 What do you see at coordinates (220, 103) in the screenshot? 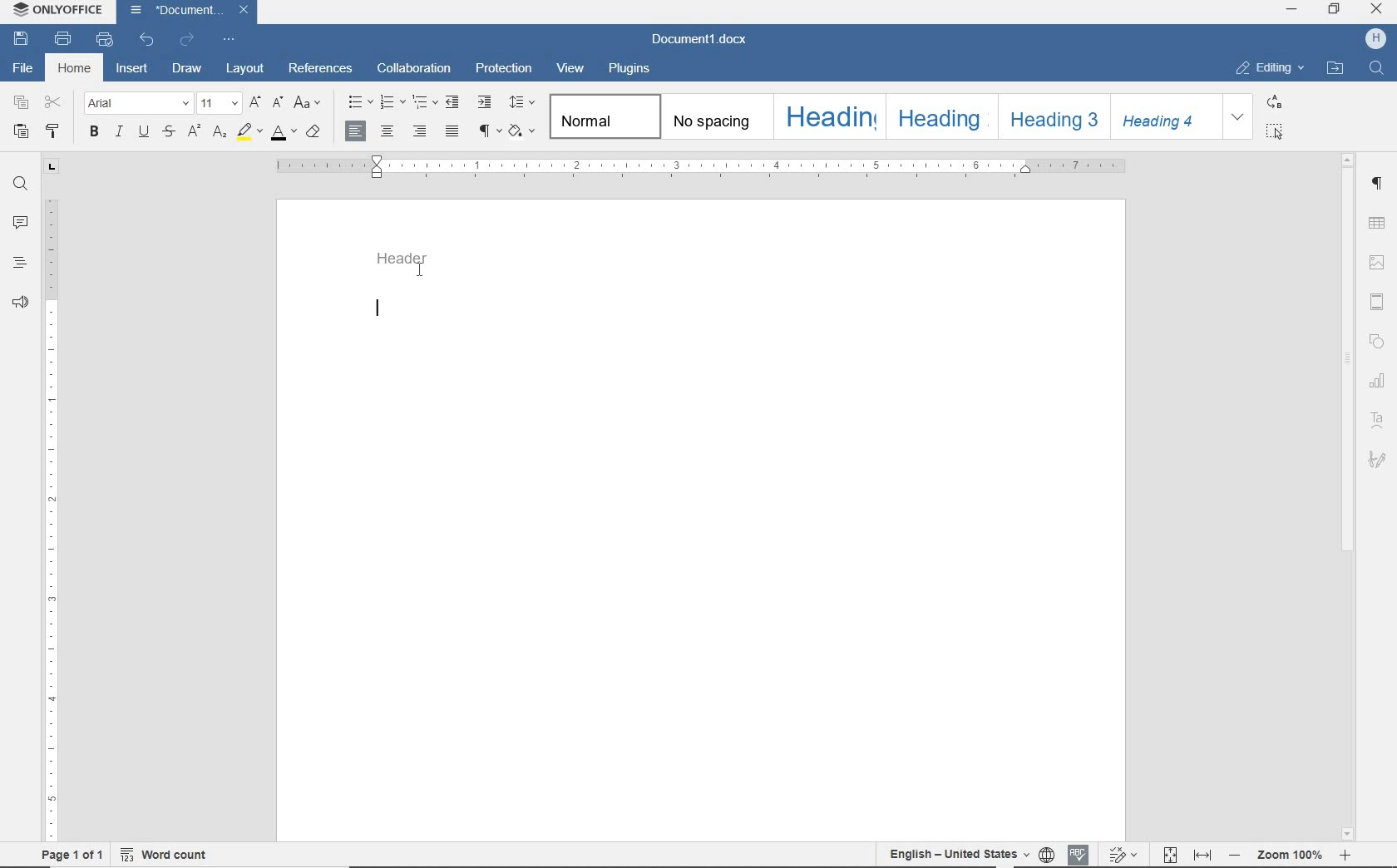
I see `font size` at bounding box center [220, 103].